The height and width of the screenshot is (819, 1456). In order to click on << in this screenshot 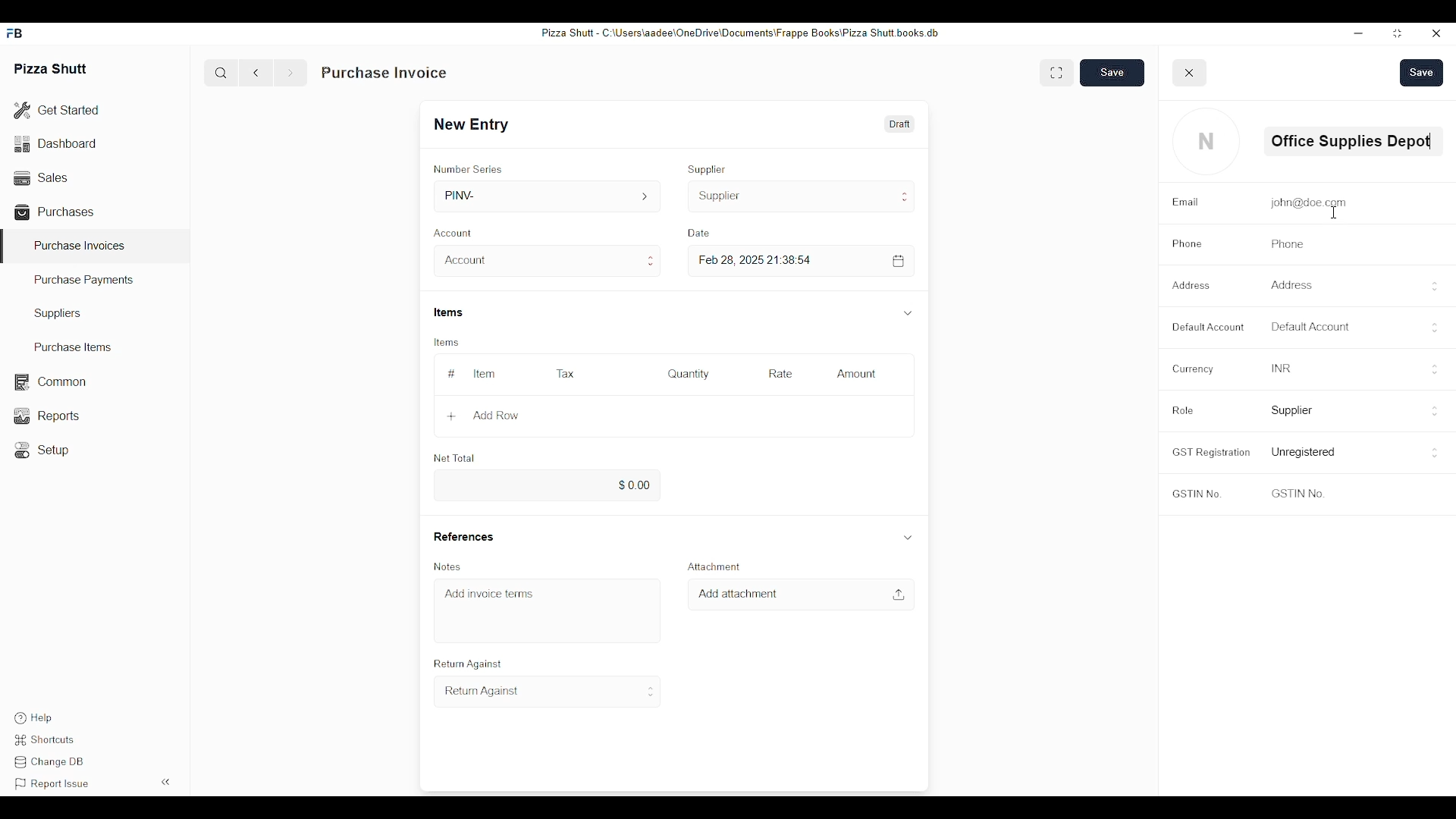, I will do `click(167, 781)`.